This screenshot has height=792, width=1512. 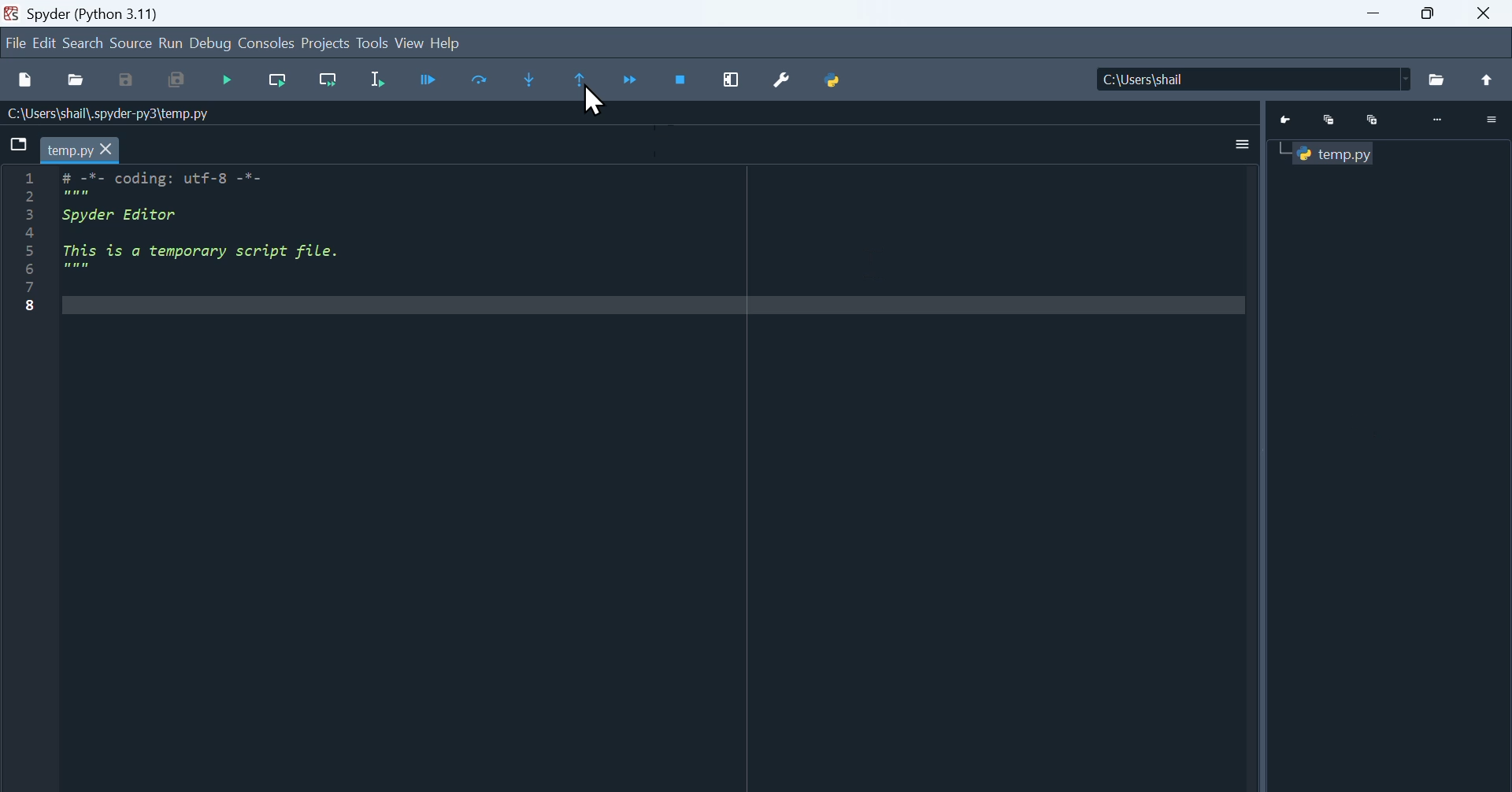 I want to click on Source, so click(x=131, y=41).